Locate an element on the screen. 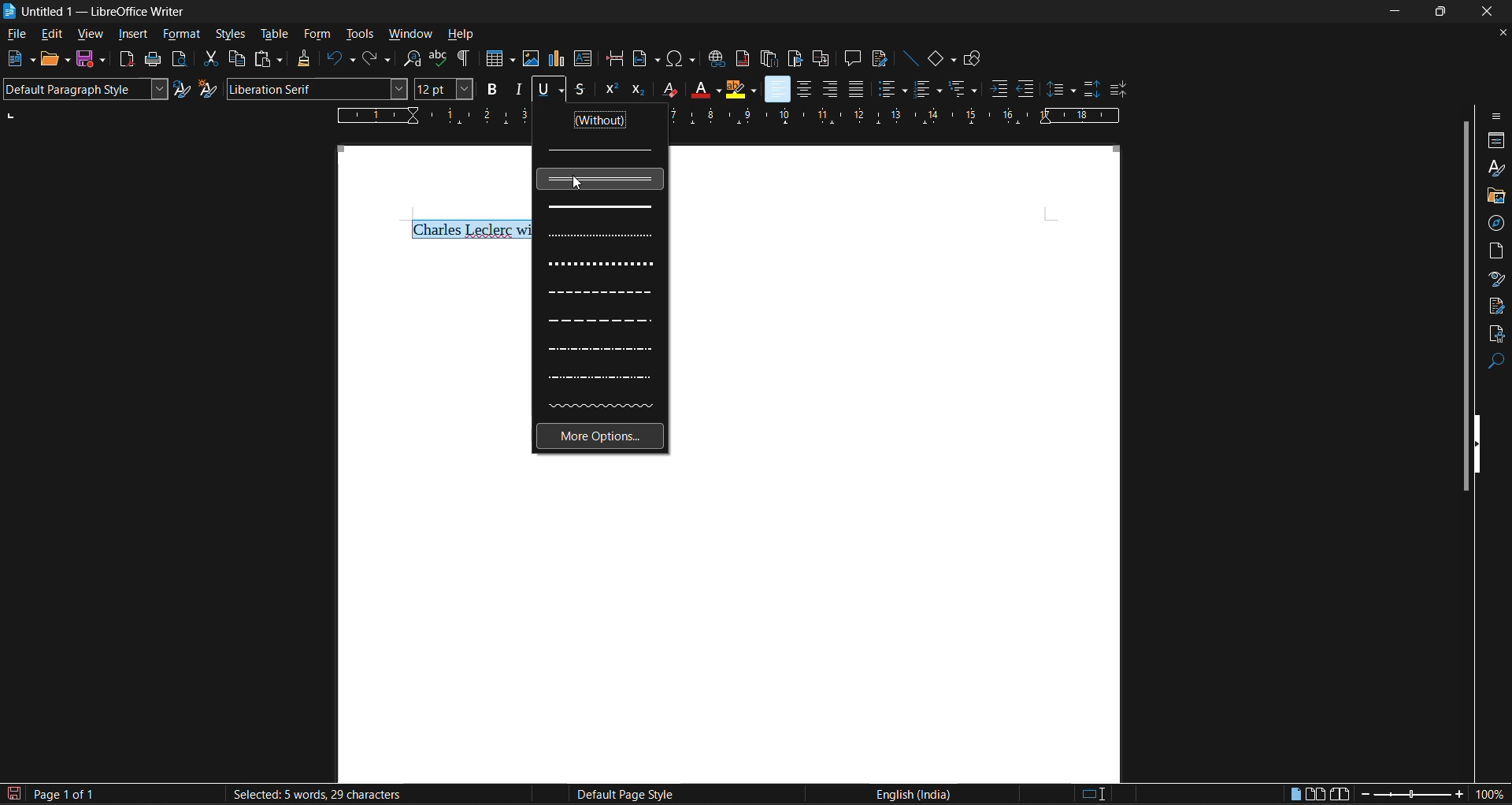 The height and width of the screenshot is (805, 1512). insert footnote is located at coordinates (740, 58).